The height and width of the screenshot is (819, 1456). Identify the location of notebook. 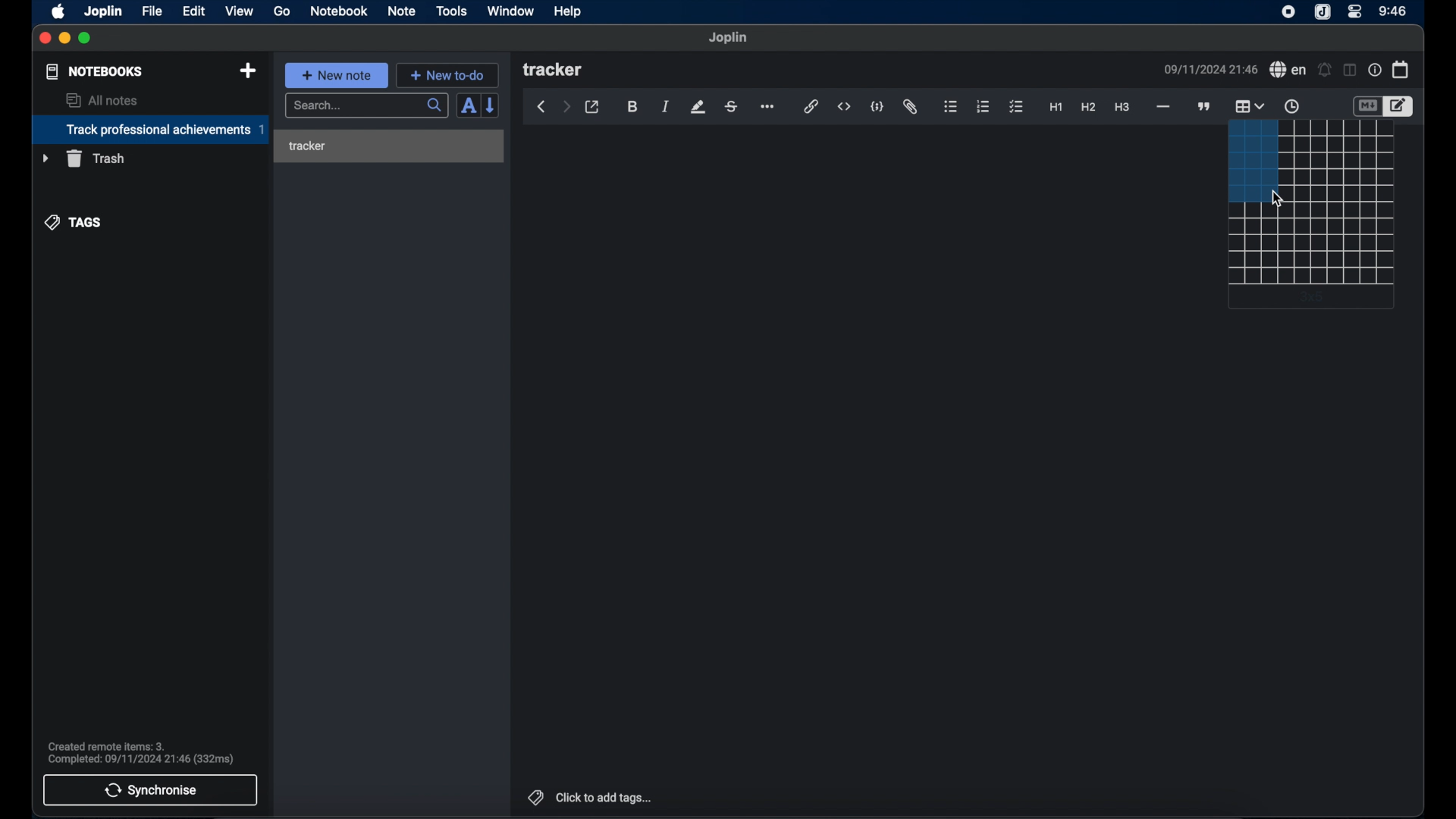
(339, 11).